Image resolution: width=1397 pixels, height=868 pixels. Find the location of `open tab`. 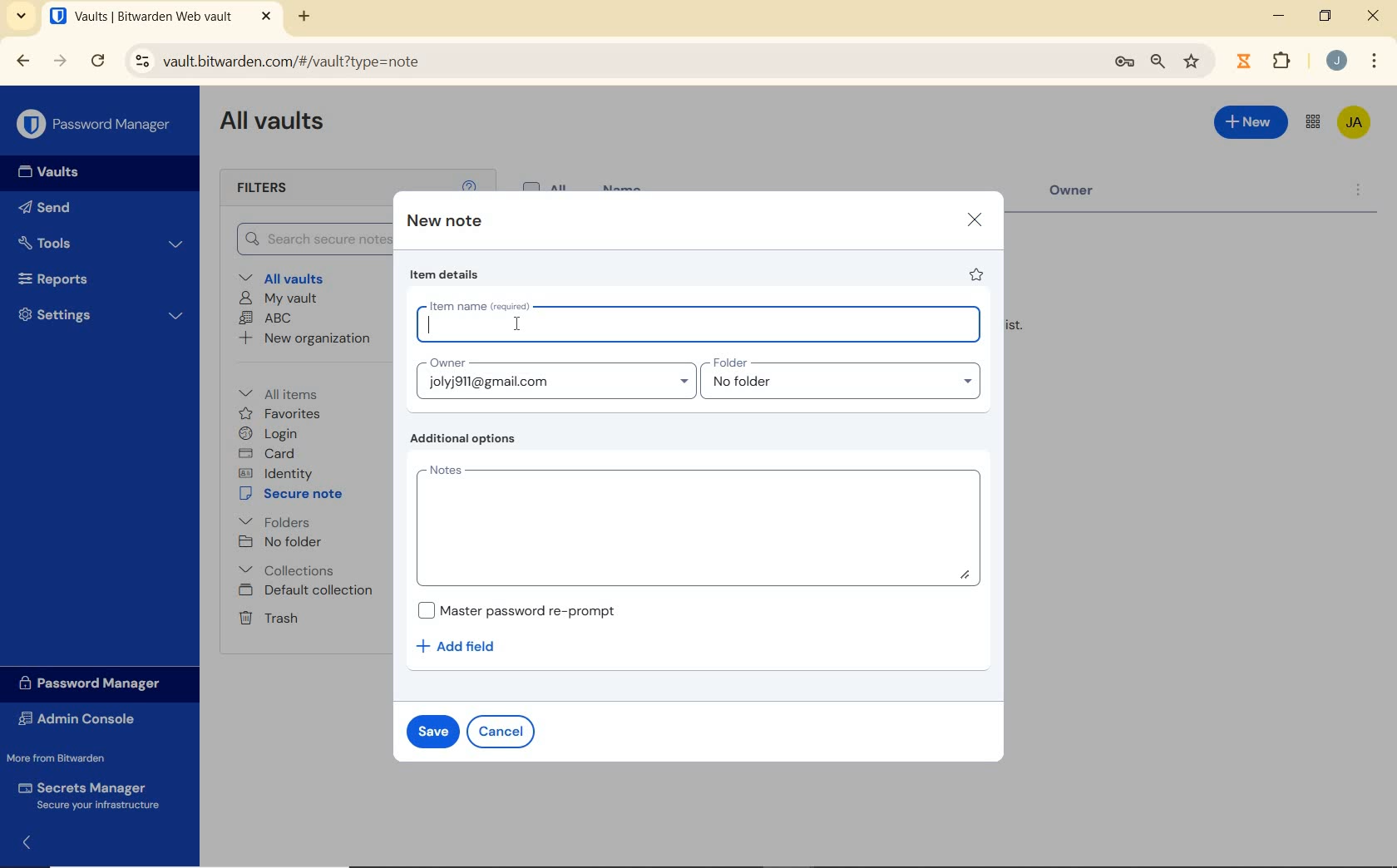

open tab is located at coordinates (160, 16).